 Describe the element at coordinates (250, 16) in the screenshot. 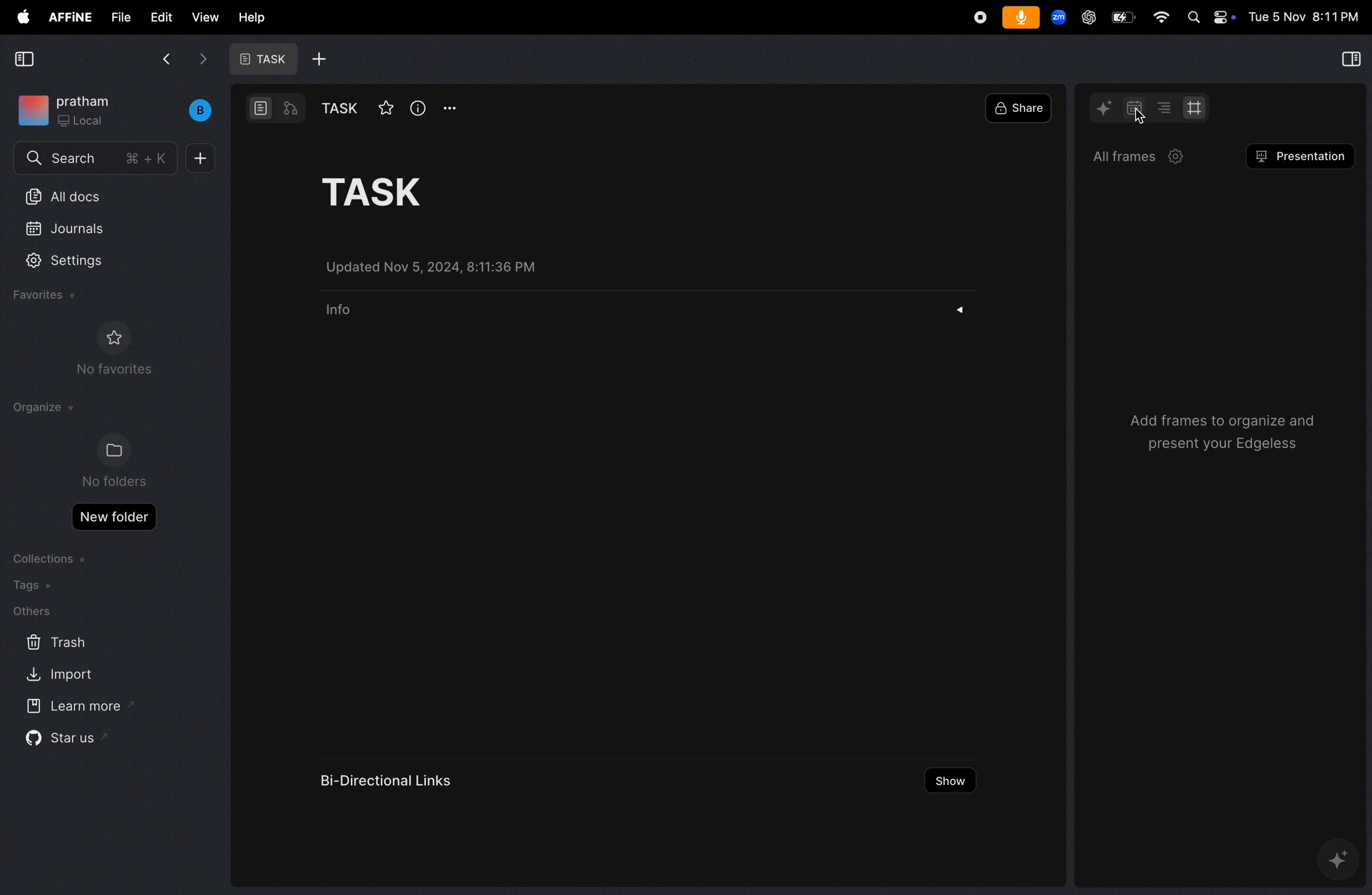

I see `help` at that location.